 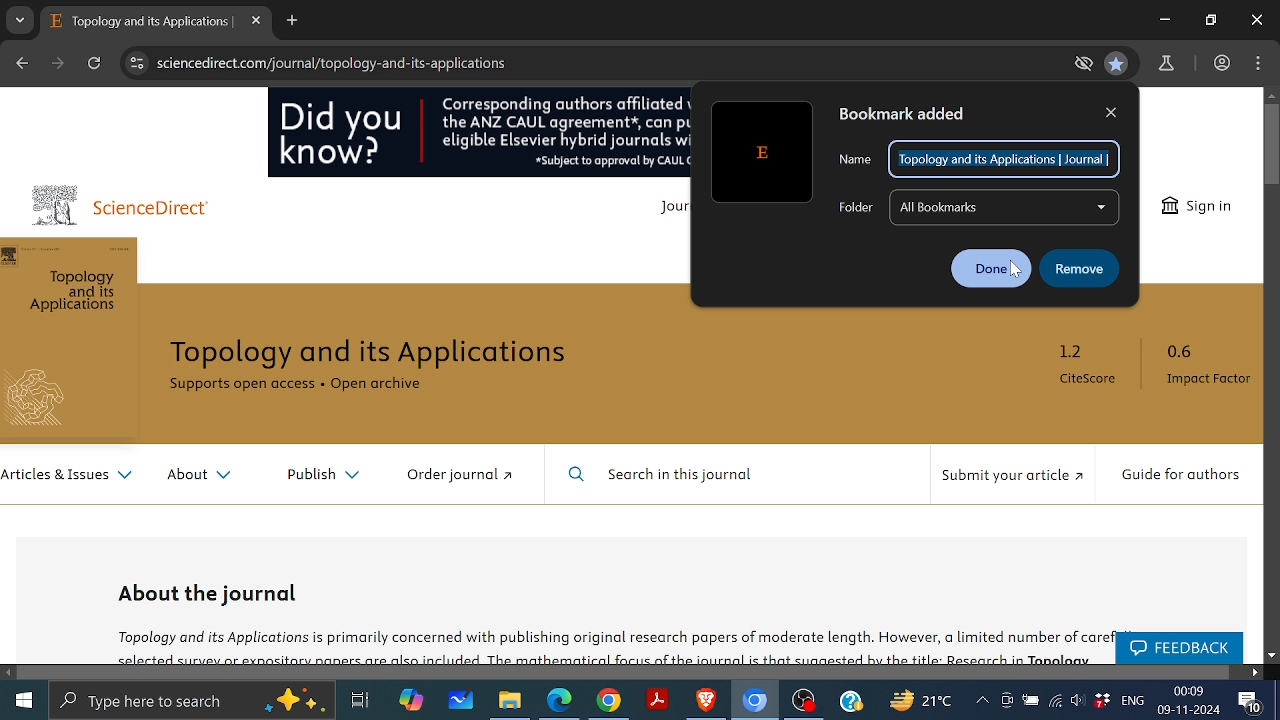 I want to click on Task View, so click(x=358, y=699).